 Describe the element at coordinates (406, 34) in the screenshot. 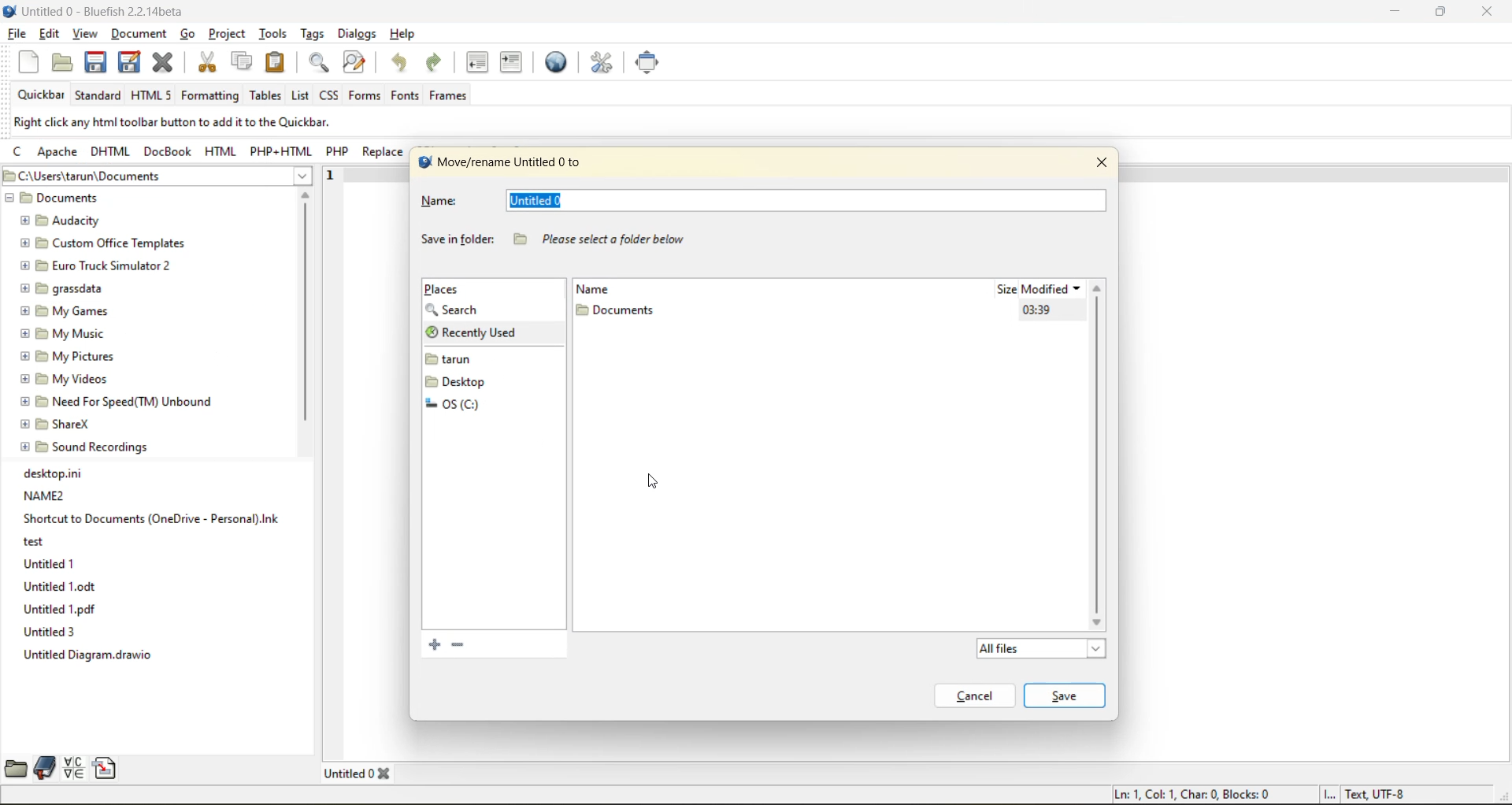

I see `help` at that location.